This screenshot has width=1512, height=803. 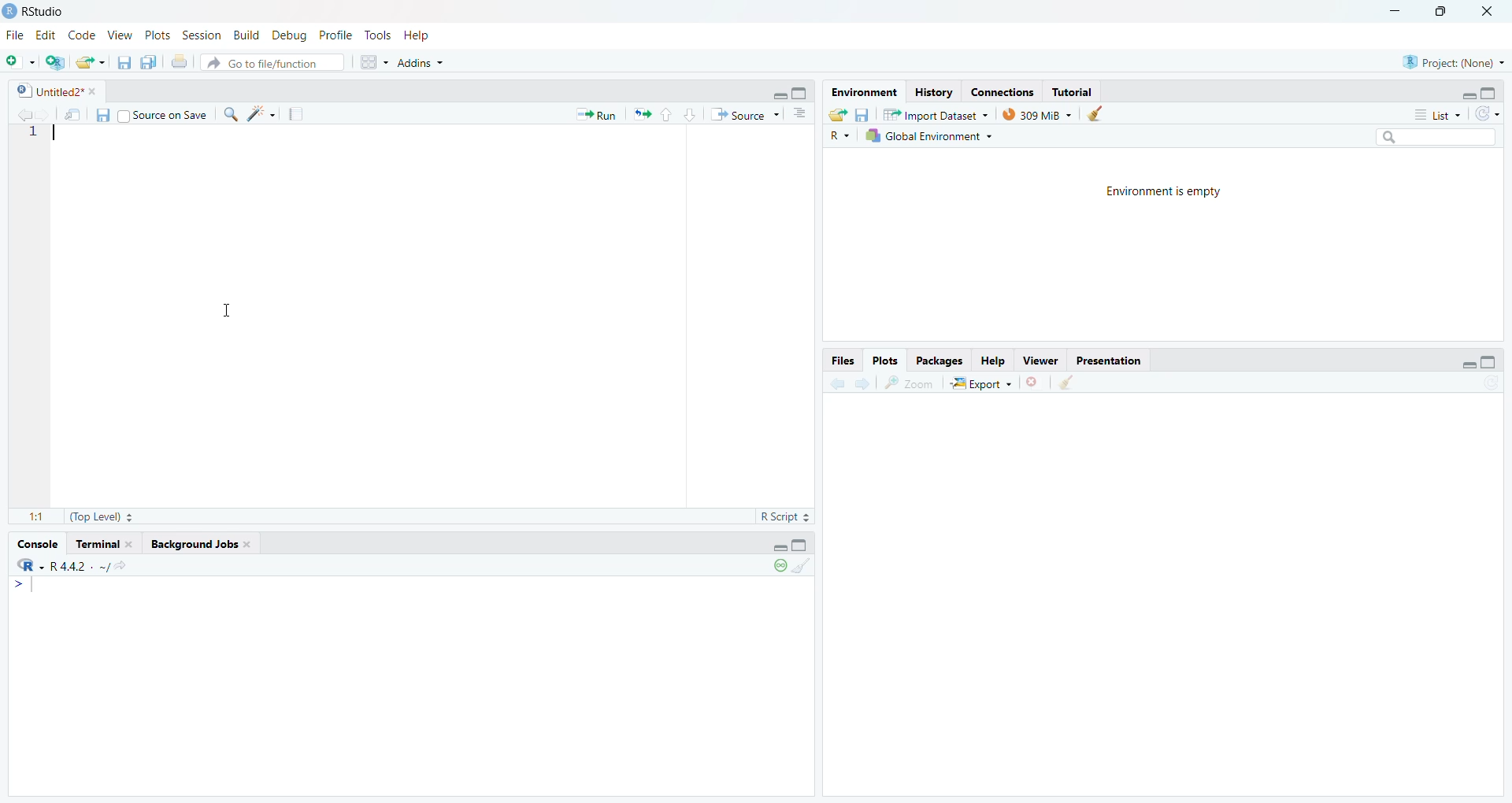 I want to click on maximise, so click(x=1495, y=92).